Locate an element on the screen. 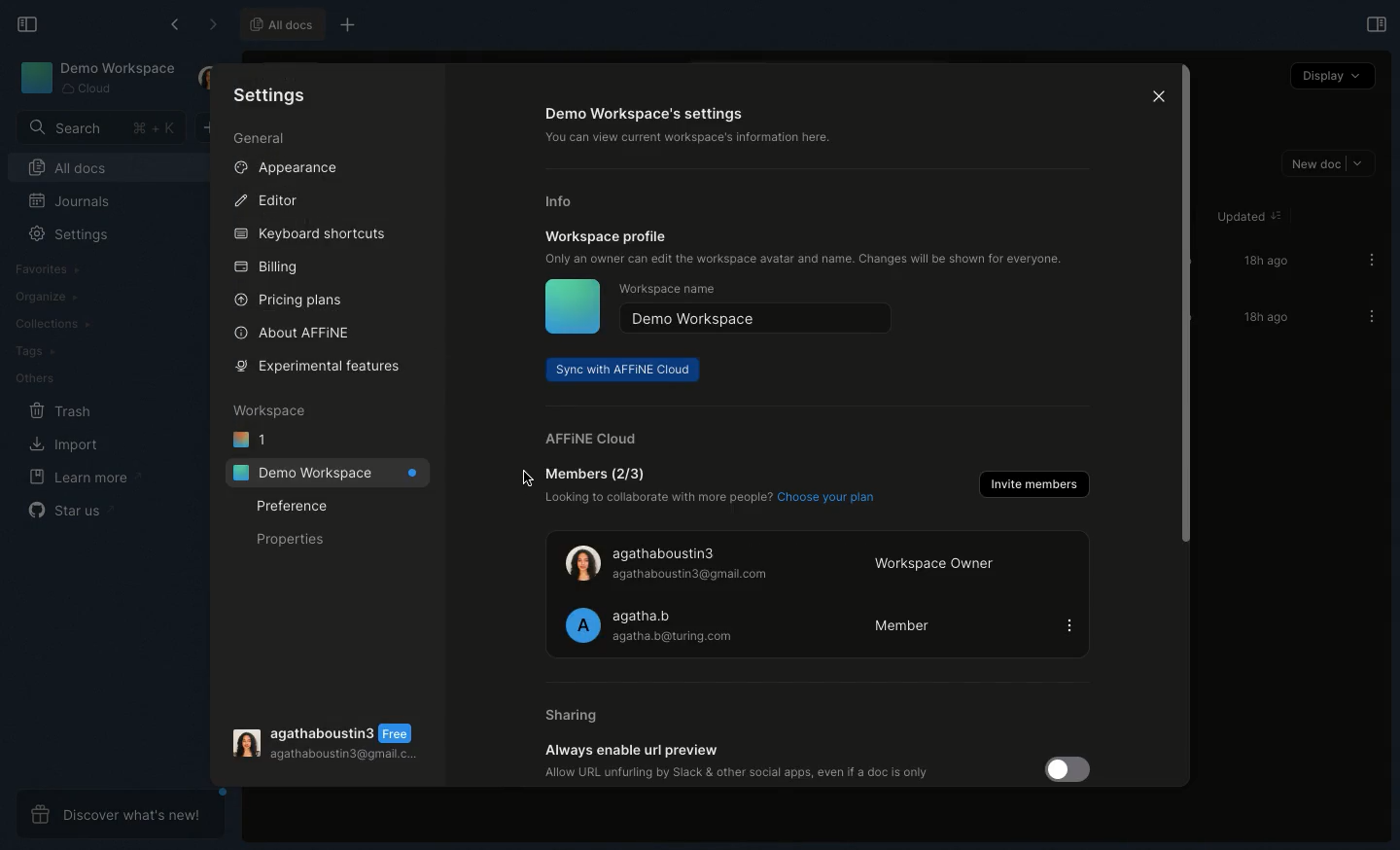 The width and height of the screenshot is (1400, 850). Always enable url preview is located at coordinates (822, 761).